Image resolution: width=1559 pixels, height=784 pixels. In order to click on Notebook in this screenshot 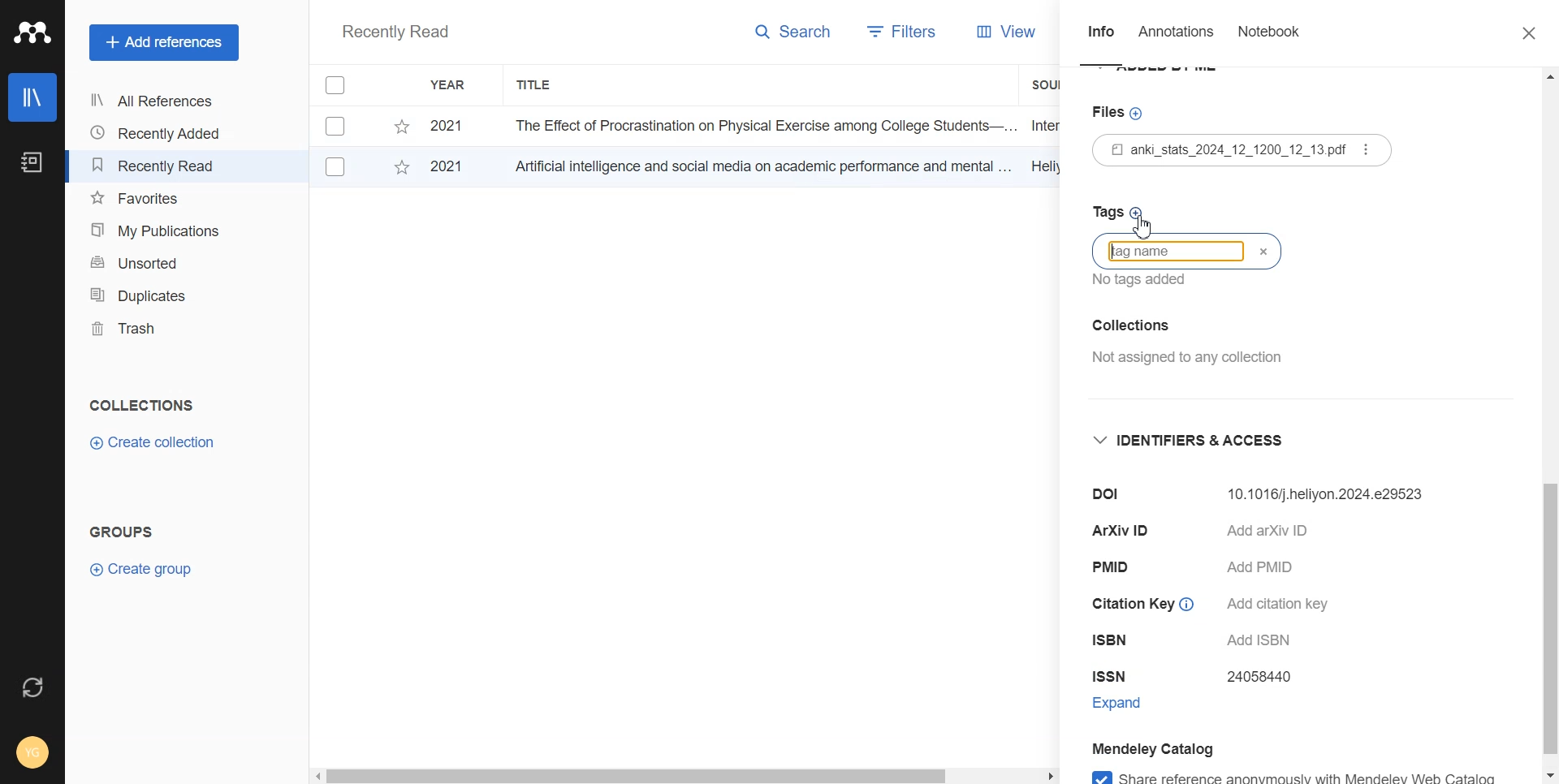, I will do `click(1268, 35)`.